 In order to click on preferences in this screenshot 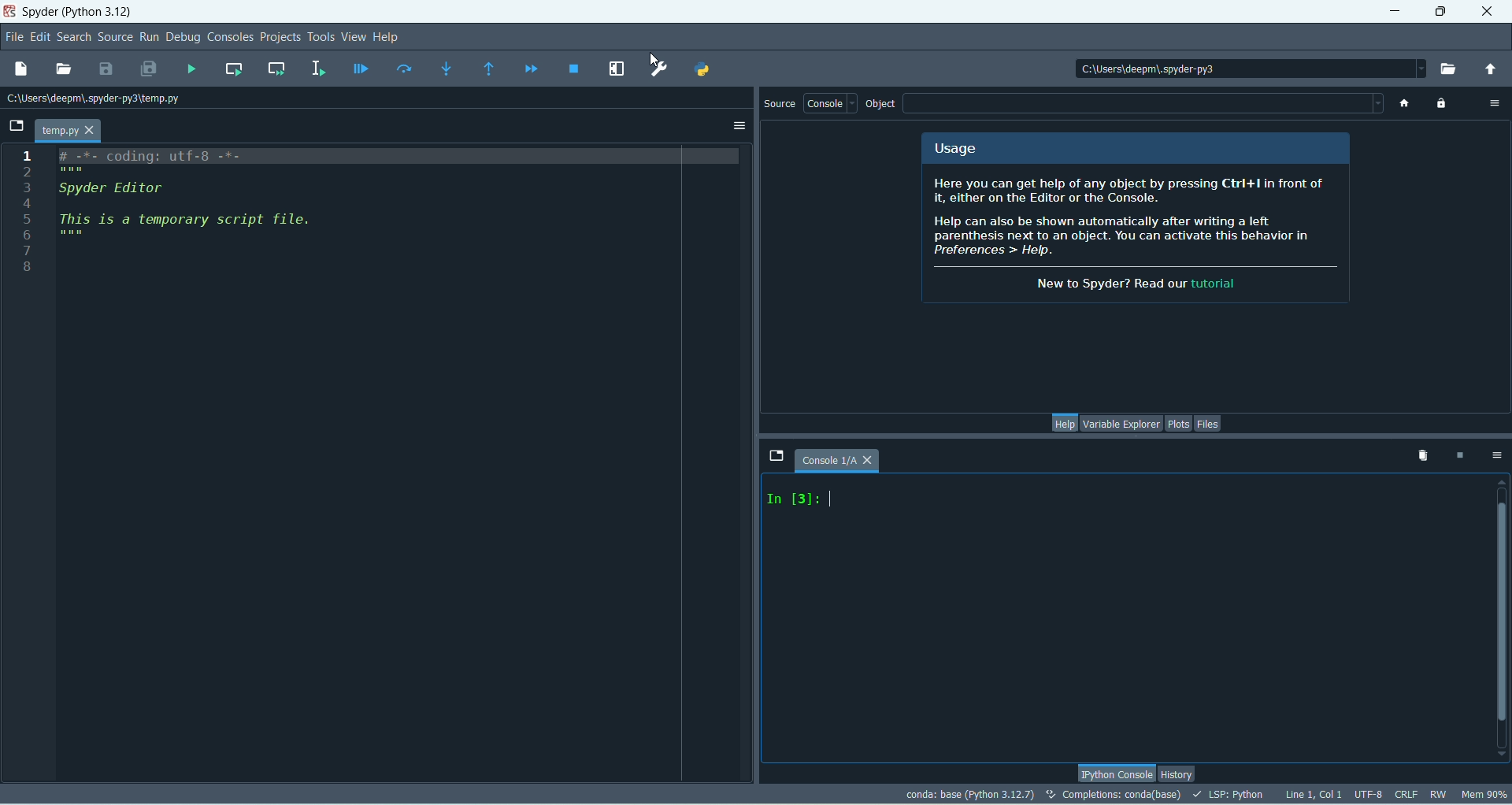, I will do `click(658, 70)`.